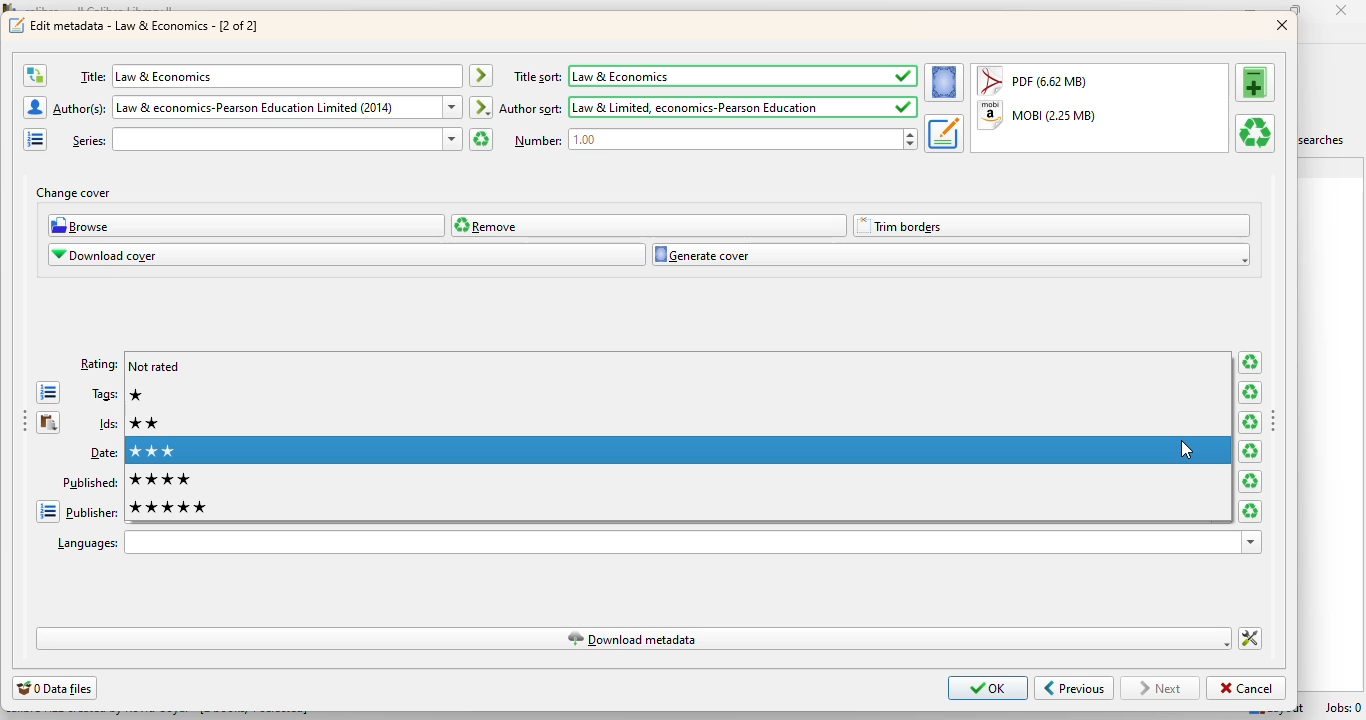 The image size is (1366, 720). What do you see at coordinates (99, 364) in the screenshot?
I see `rating:` at bounding box center [99, 364].